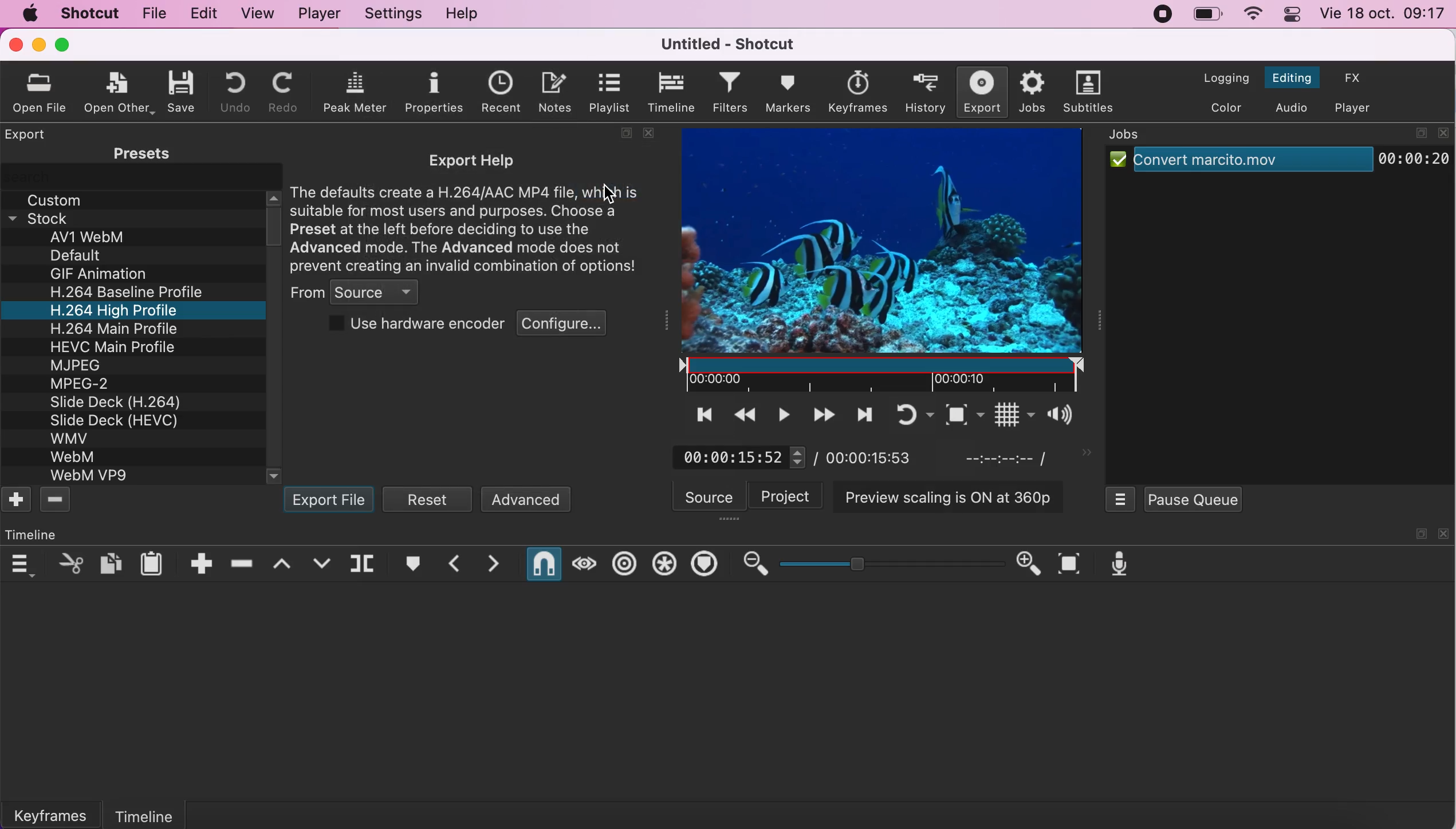 The width and height of the screenshot is (1456, 829). What do you see at coordinates (355, 93) in the screenshot?
I see `peak meter` at bounding box center [355, 93].